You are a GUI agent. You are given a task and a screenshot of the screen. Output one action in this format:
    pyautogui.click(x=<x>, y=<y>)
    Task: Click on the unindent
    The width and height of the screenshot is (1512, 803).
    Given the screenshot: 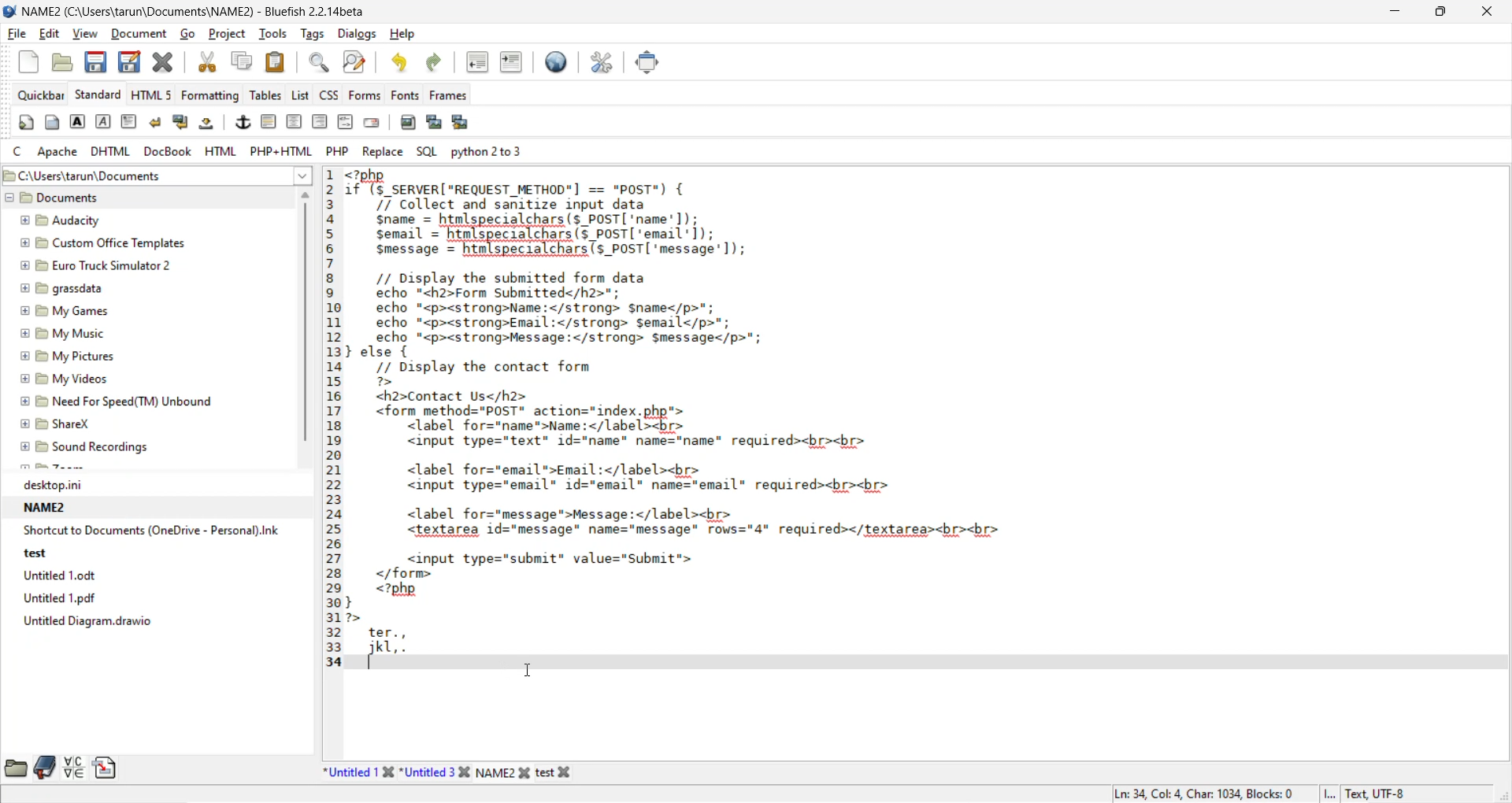 What is the action you would take?
    pyautogui.click(x=480, y=65)
    